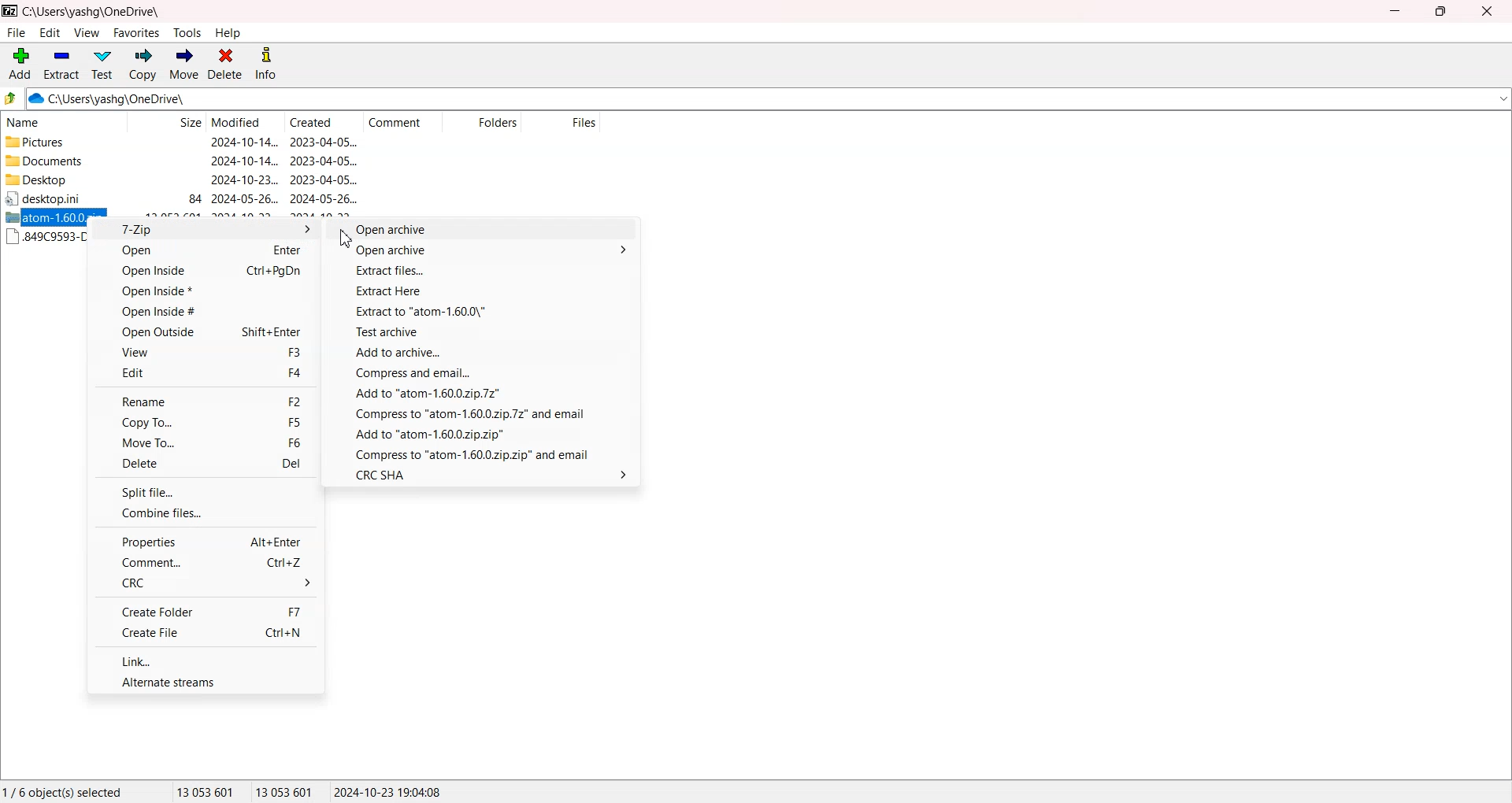 This screenshot has width=1512, height=803. I want to click on Modified date, so click(244, 123).